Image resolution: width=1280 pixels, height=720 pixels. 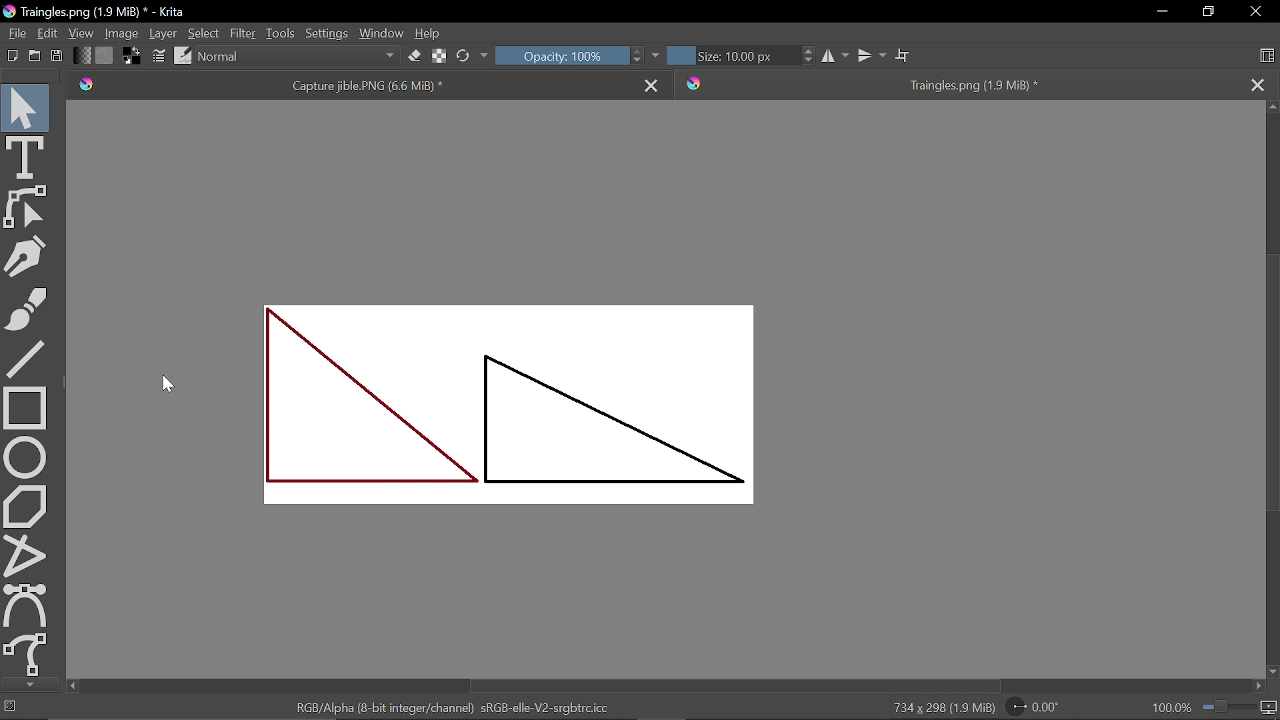 I want to click on Normal, so click(x=300, y=57).